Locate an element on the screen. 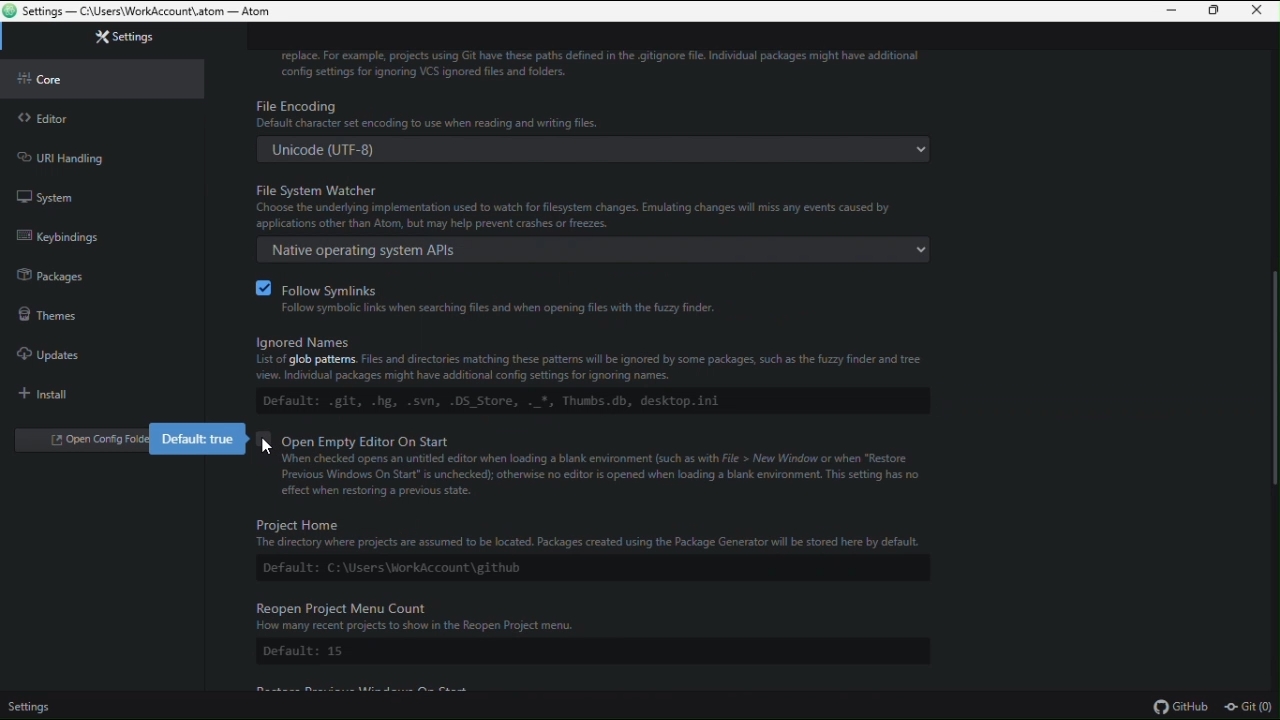 This screenshot has height=720, width=1280. Packages is located at coordinates (65, 273).